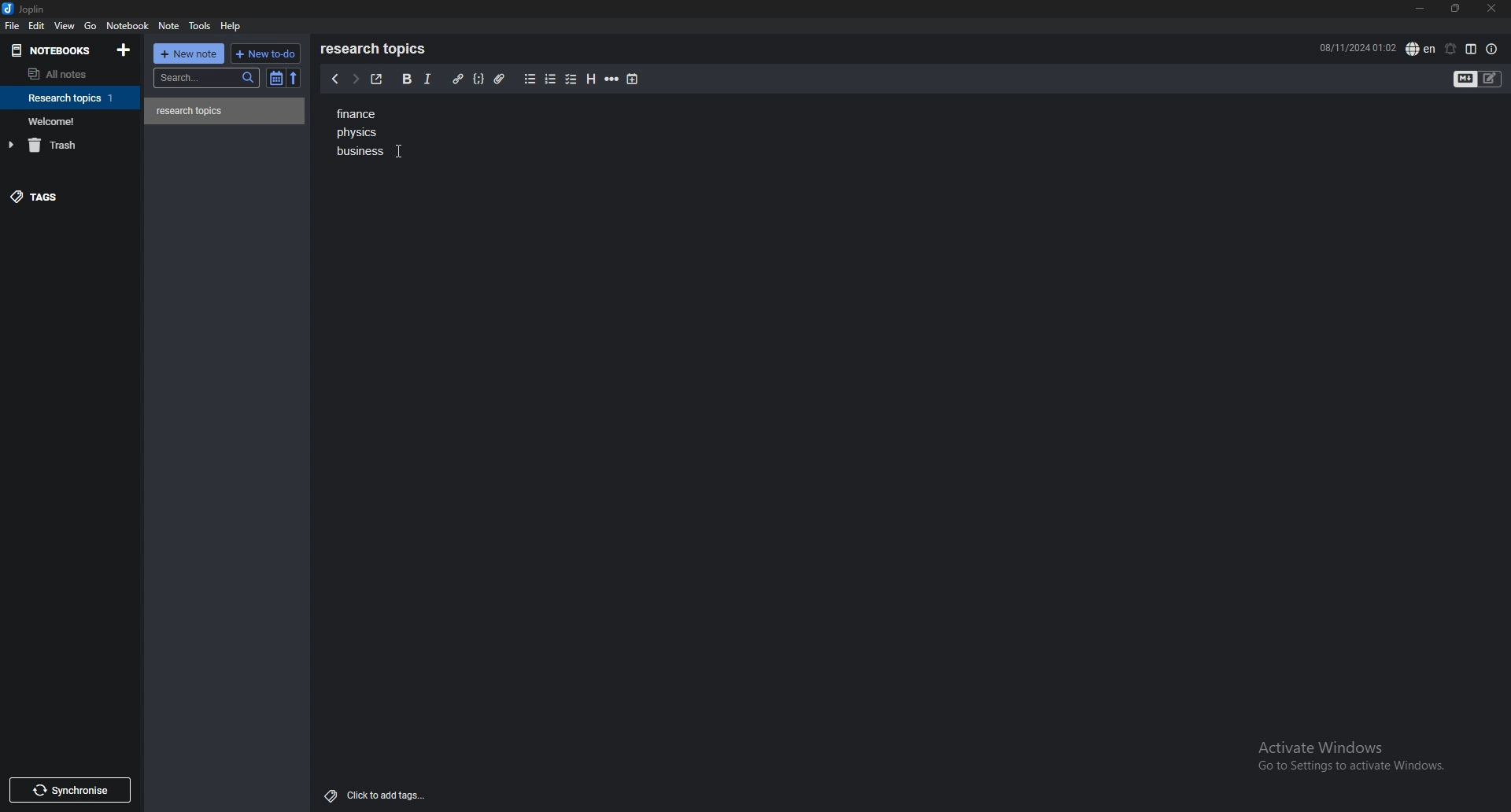 This screenshot has width=1511, height=812. What do you see at coordinates (479, 78) in the screenshot?
I see `code` at bounding box center [479, 78].